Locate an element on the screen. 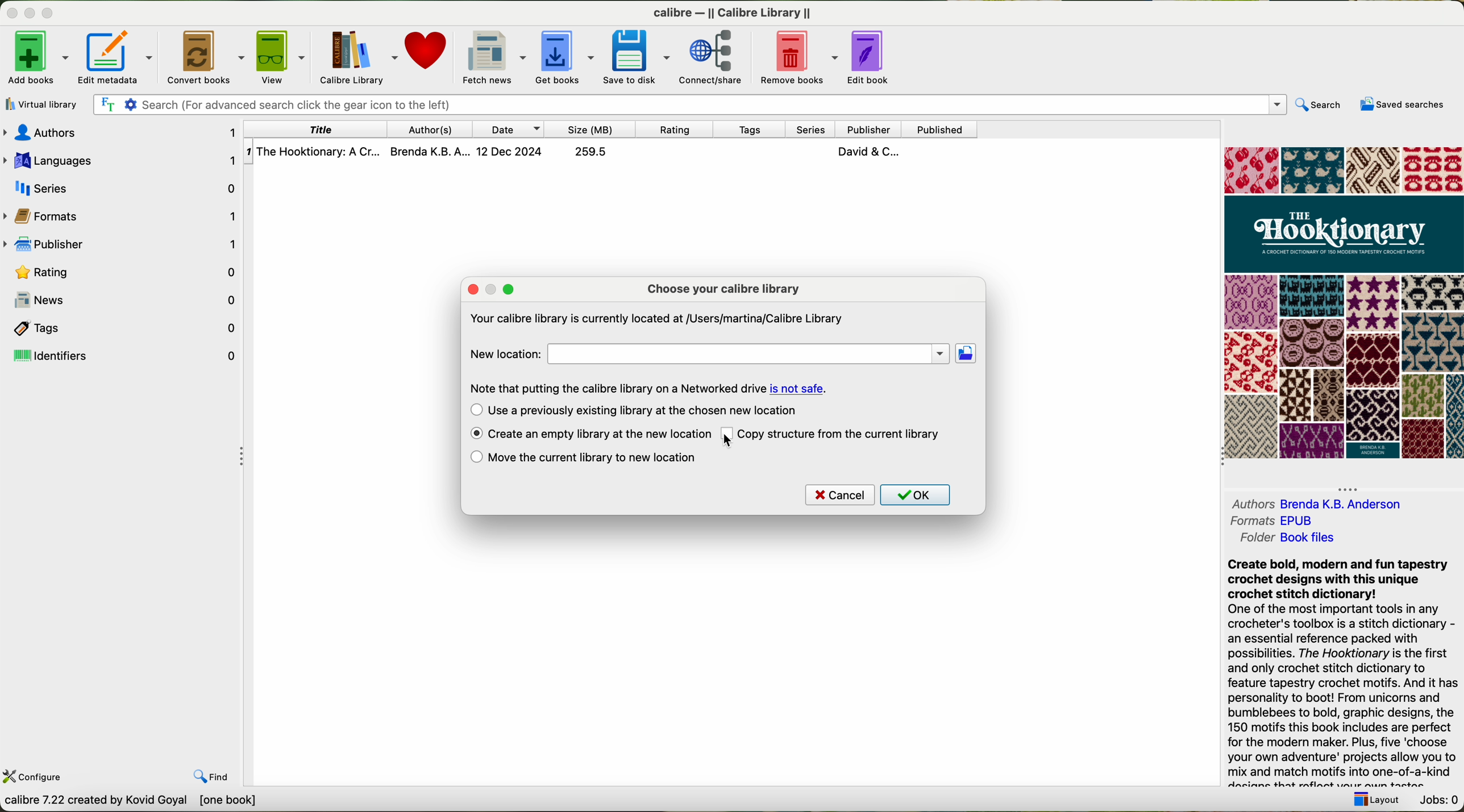 This screenshot has width=1464, height=812. folder Book files is located at coordinates (1290, 540).